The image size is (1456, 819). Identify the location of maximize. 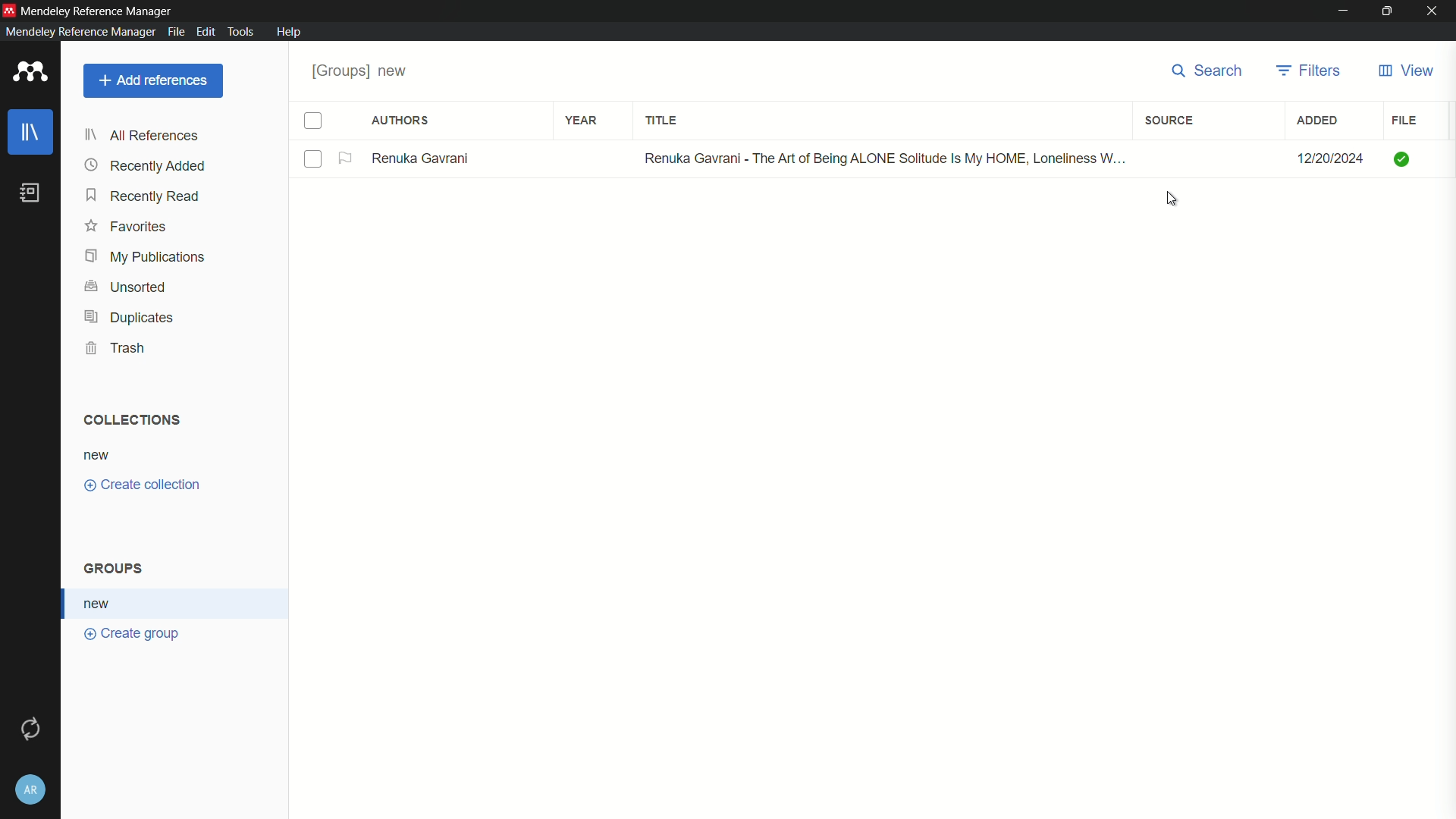
(1389, 11).